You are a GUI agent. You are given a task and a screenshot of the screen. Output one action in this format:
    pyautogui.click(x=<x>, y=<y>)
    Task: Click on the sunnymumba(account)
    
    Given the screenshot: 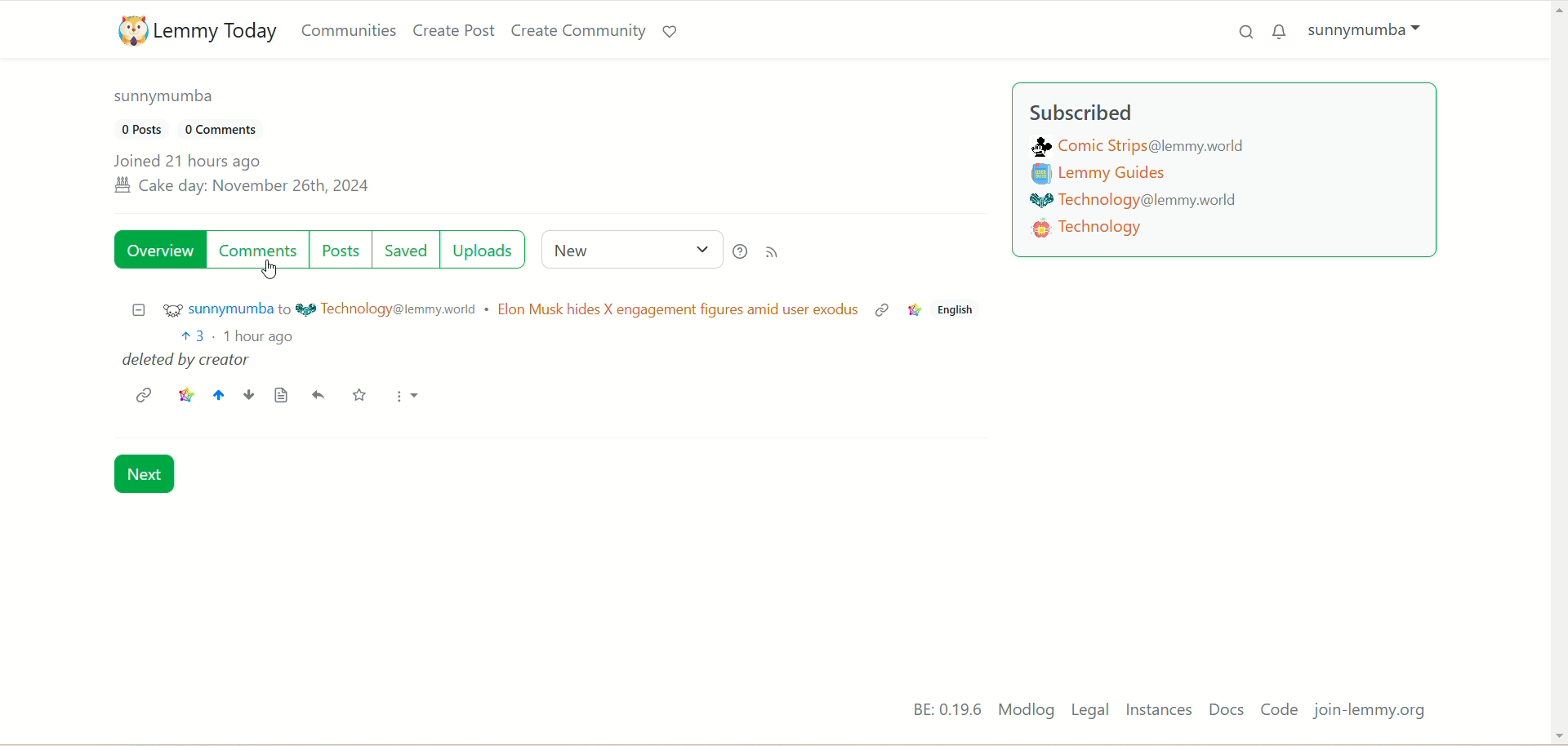 What is the action you would take?
    pyautogui.click(x=1371, y=33)
    